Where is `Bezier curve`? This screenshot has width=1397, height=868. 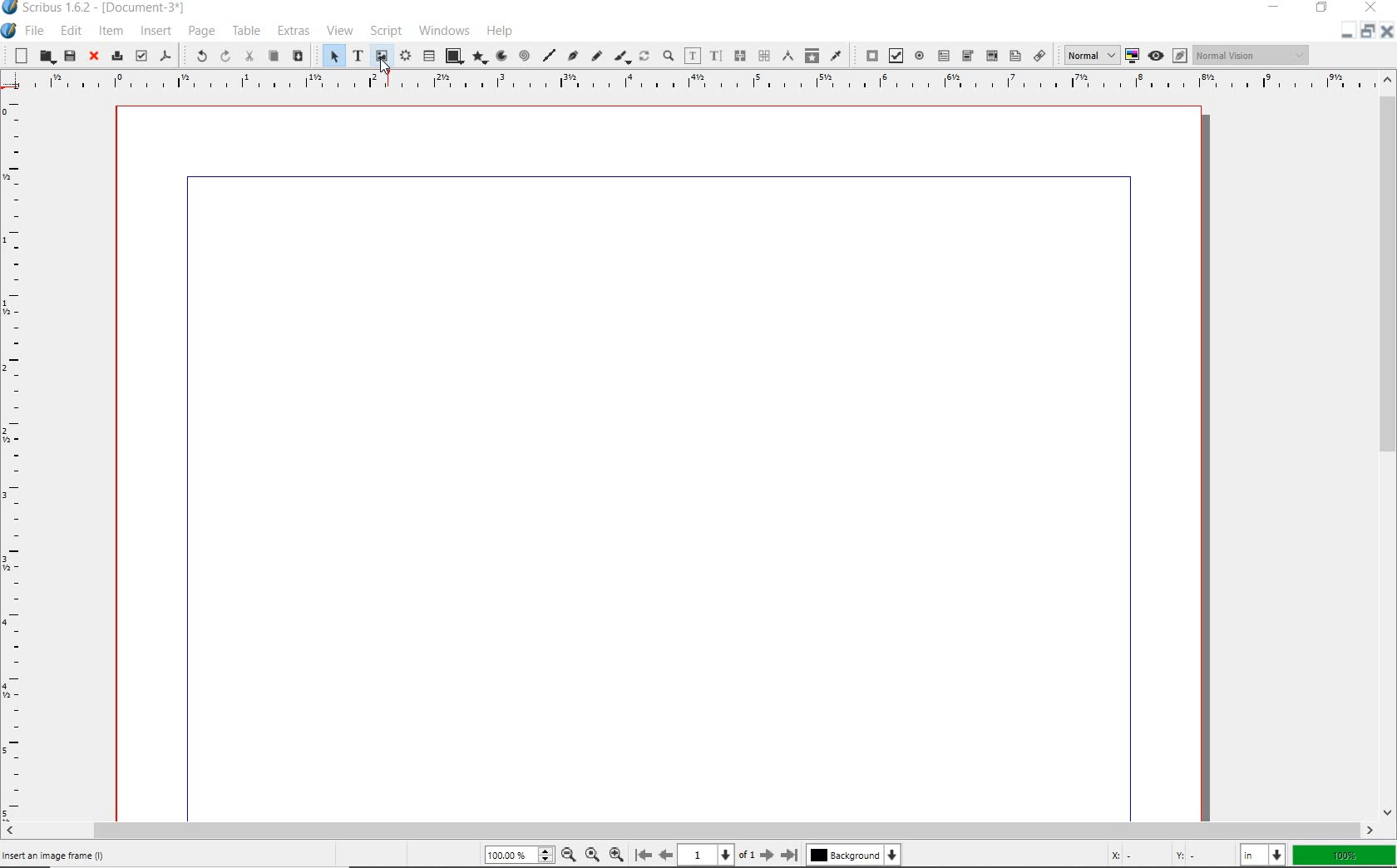 Bezier curve is located at coordinates (572, 55).